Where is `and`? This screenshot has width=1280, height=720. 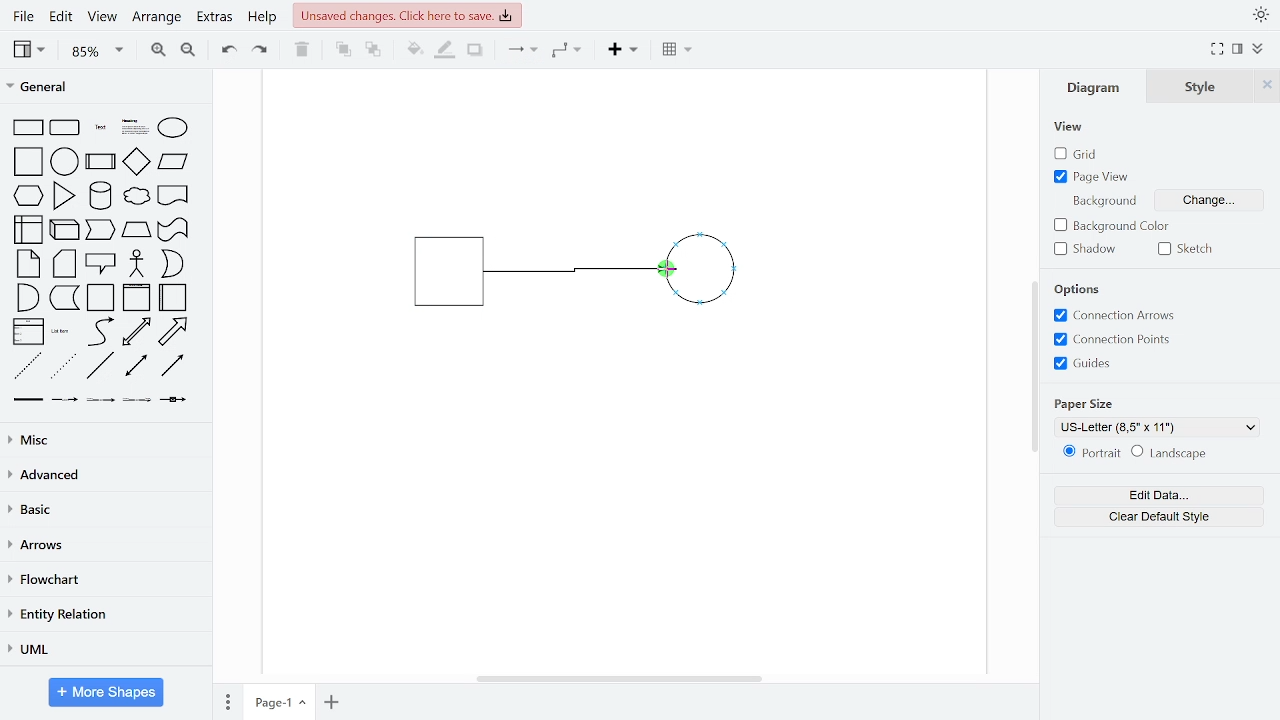
and is located at coordinates (28, 296).